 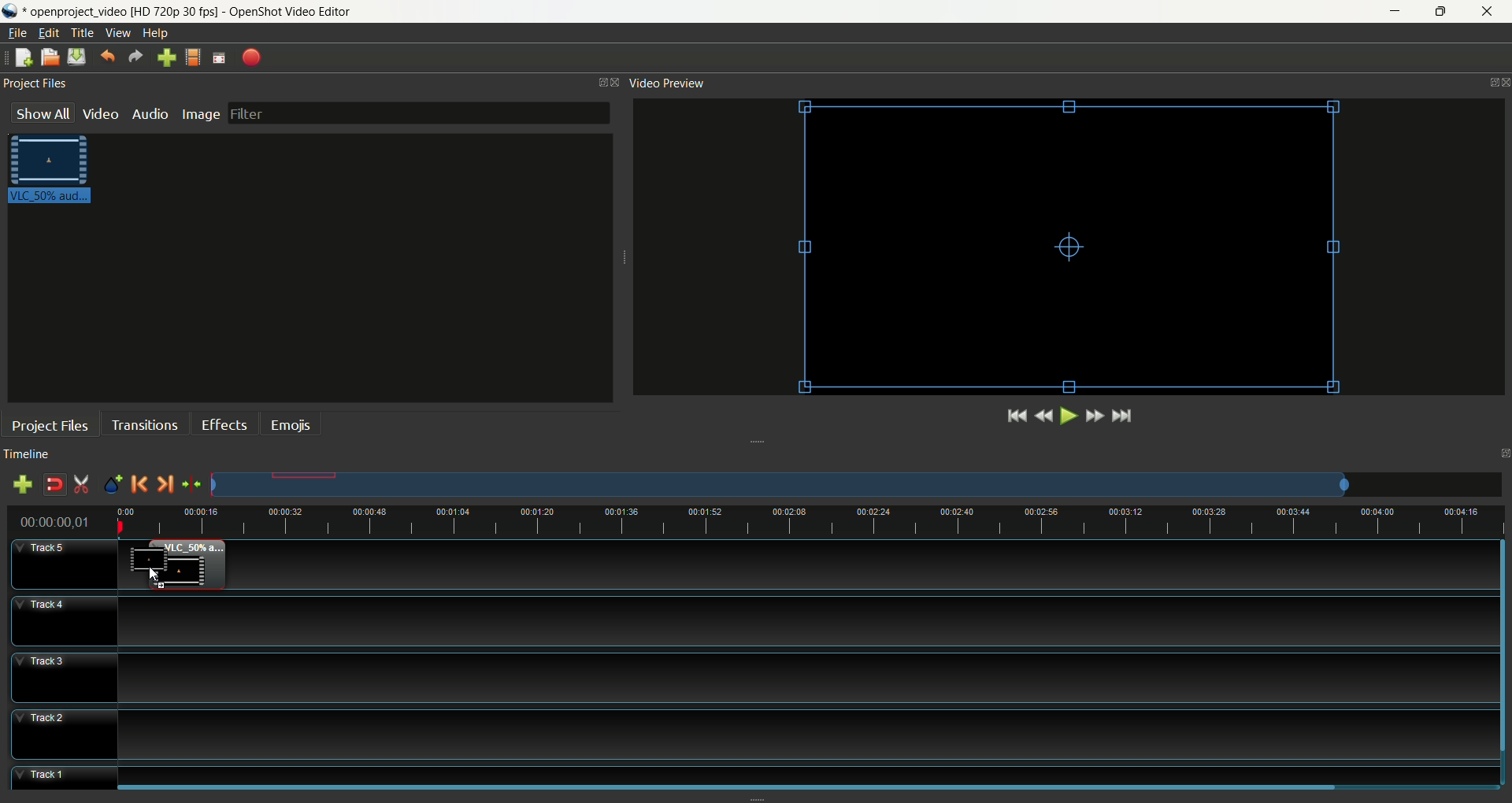 I want to click on file, so click(x=18, y=33).